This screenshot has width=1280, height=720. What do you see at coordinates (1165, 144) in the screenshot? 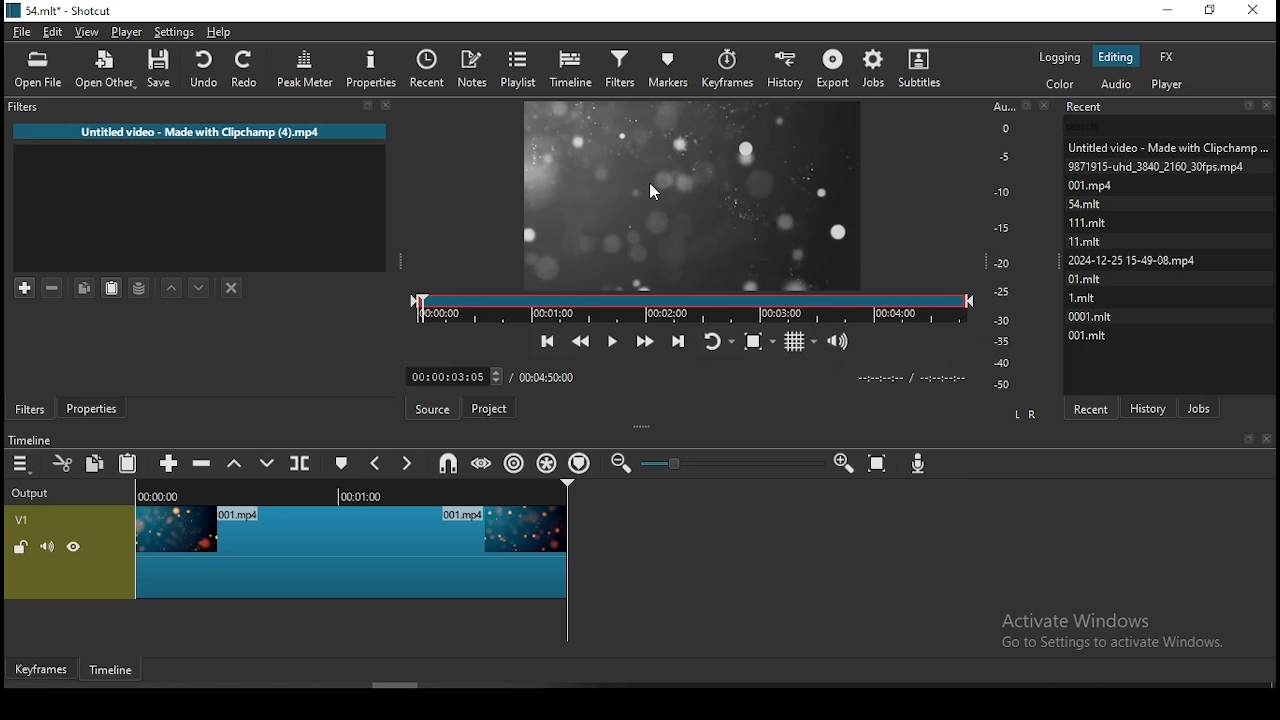
I see `files` at bounding box center [1165, 144].